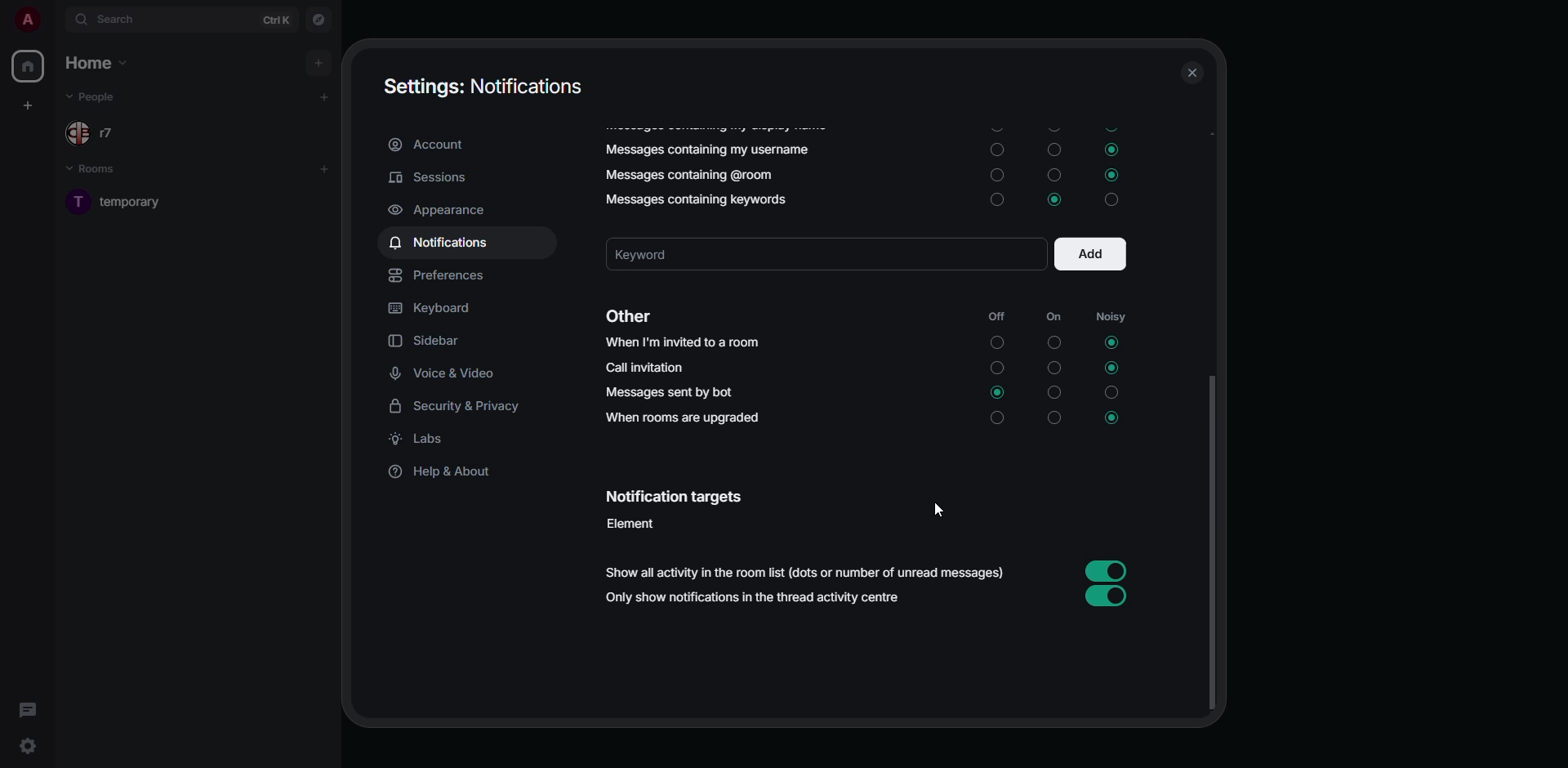  What do you see at coordinates (1111, 395) in the screenshot?
I see `Noisy` at bounding box center [1111, 395].